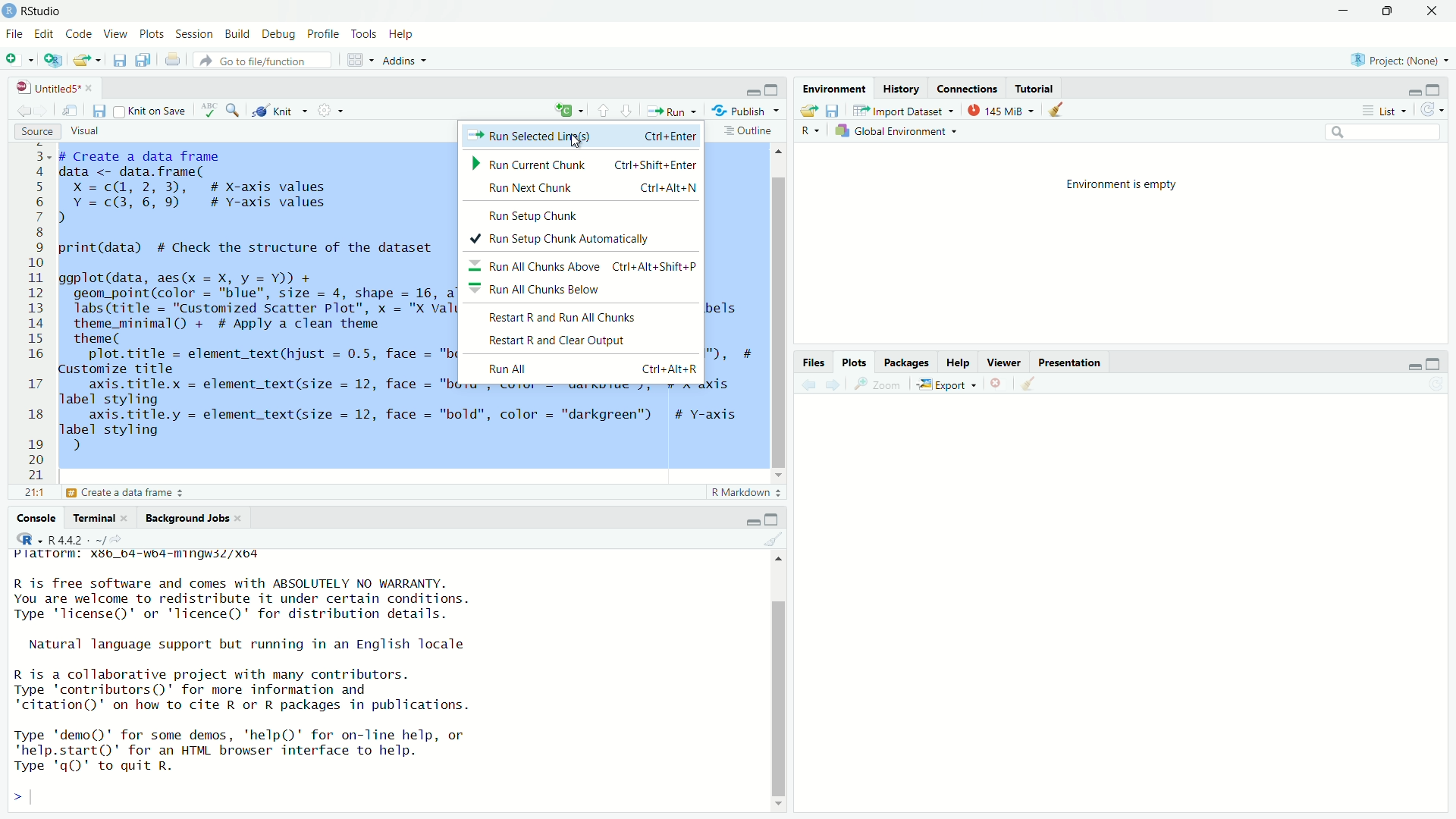  I want to click on minimize, so click(1345, 11).